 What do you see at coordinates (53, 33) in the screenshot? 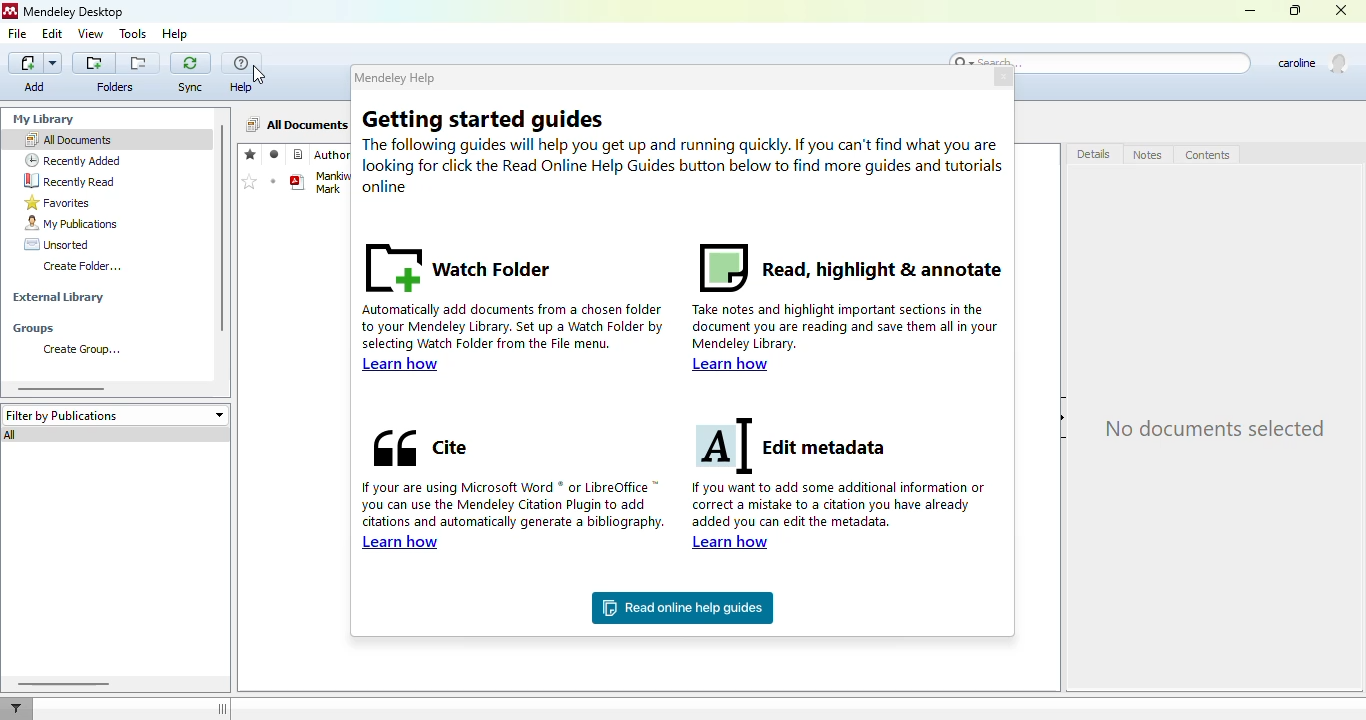
I see `edit` at bounding box center [53, 33].